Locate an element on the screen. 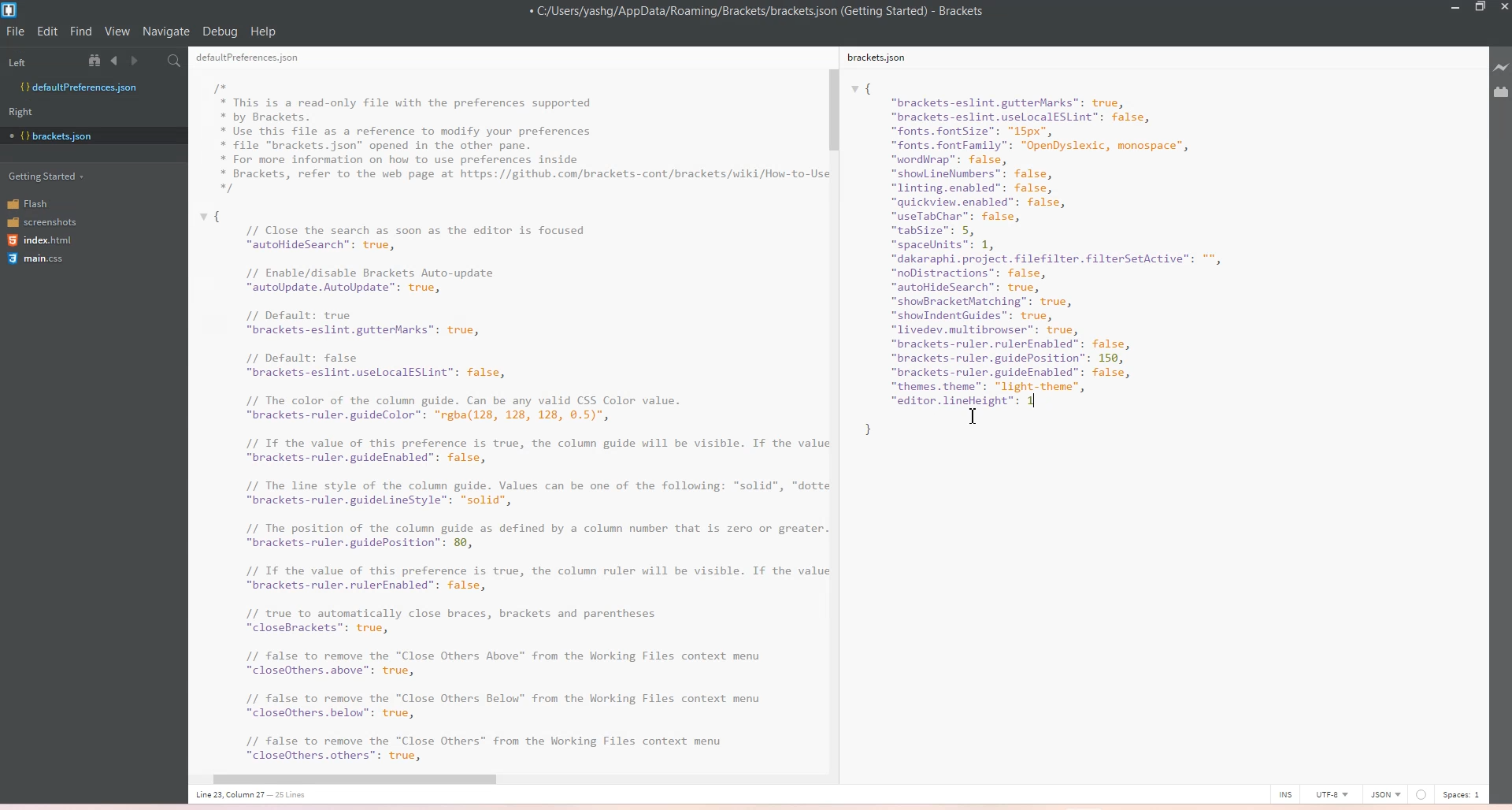 The height and width of the screenshot is (810, 1512). defaultPreferences.json is located at coordinates (257, 60).